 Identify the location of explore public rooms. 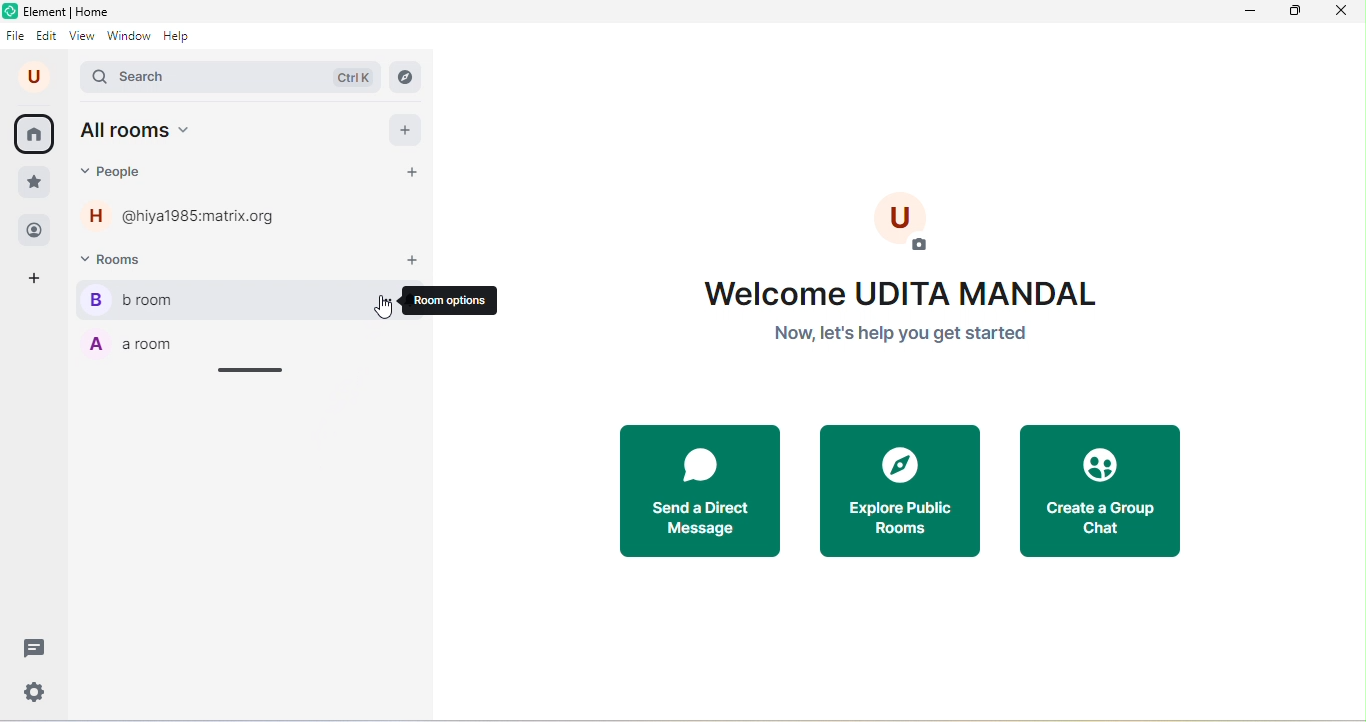
(902, 490).